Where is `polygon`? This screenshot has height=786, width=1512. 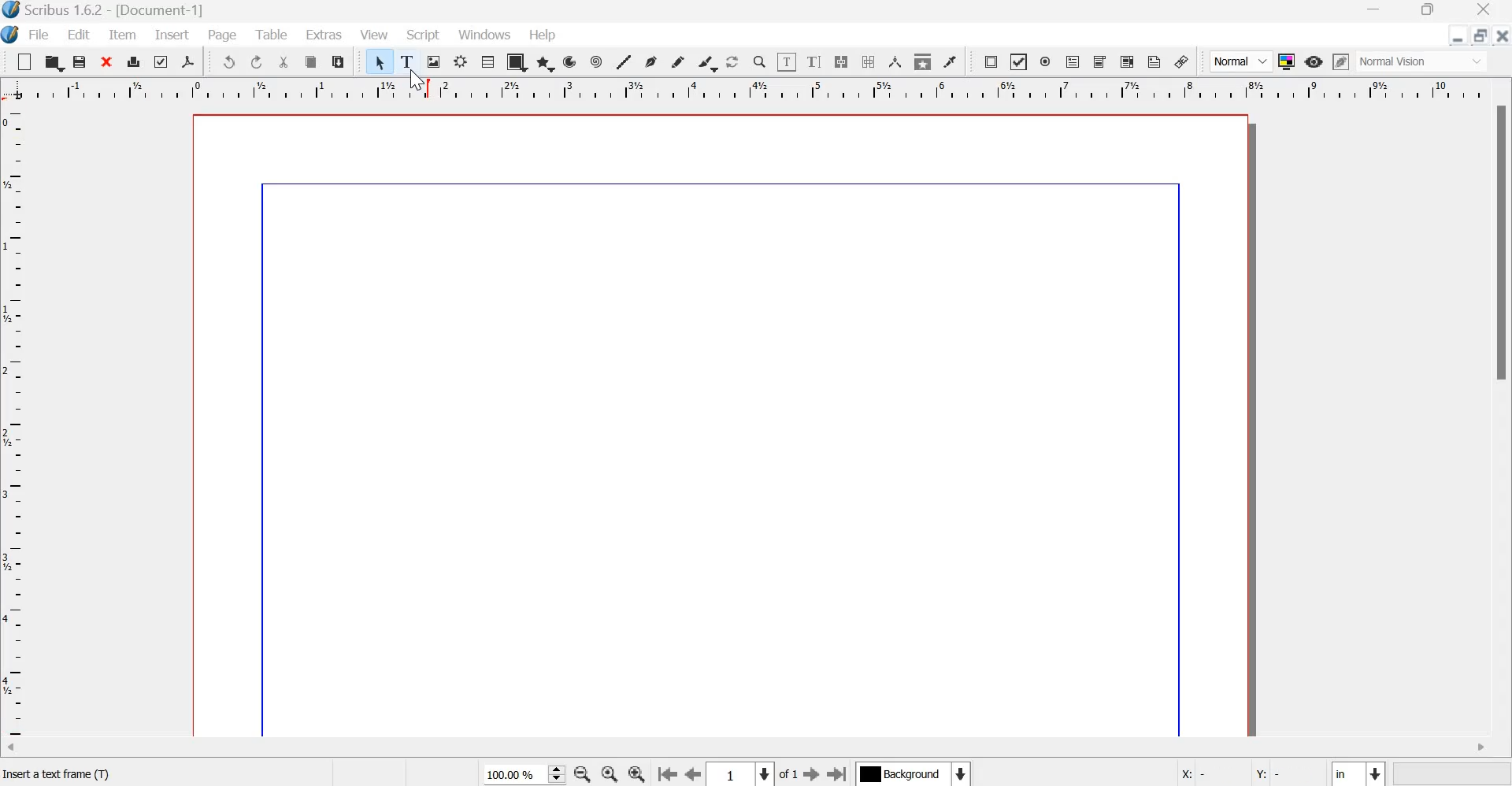 polygon is located at coordinates (547, 63).